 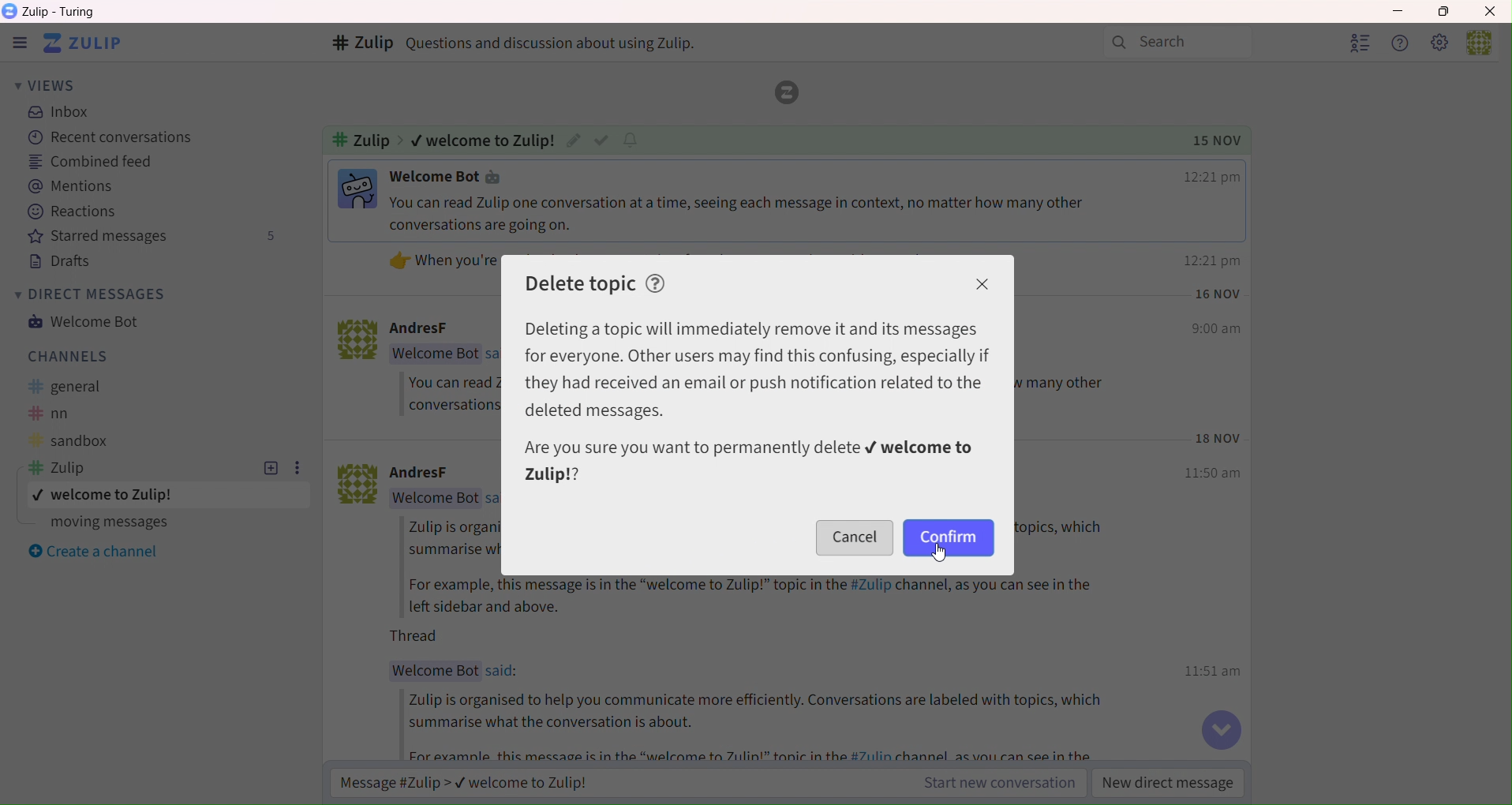 I want to click on Channels, so click(x=364, y=43).